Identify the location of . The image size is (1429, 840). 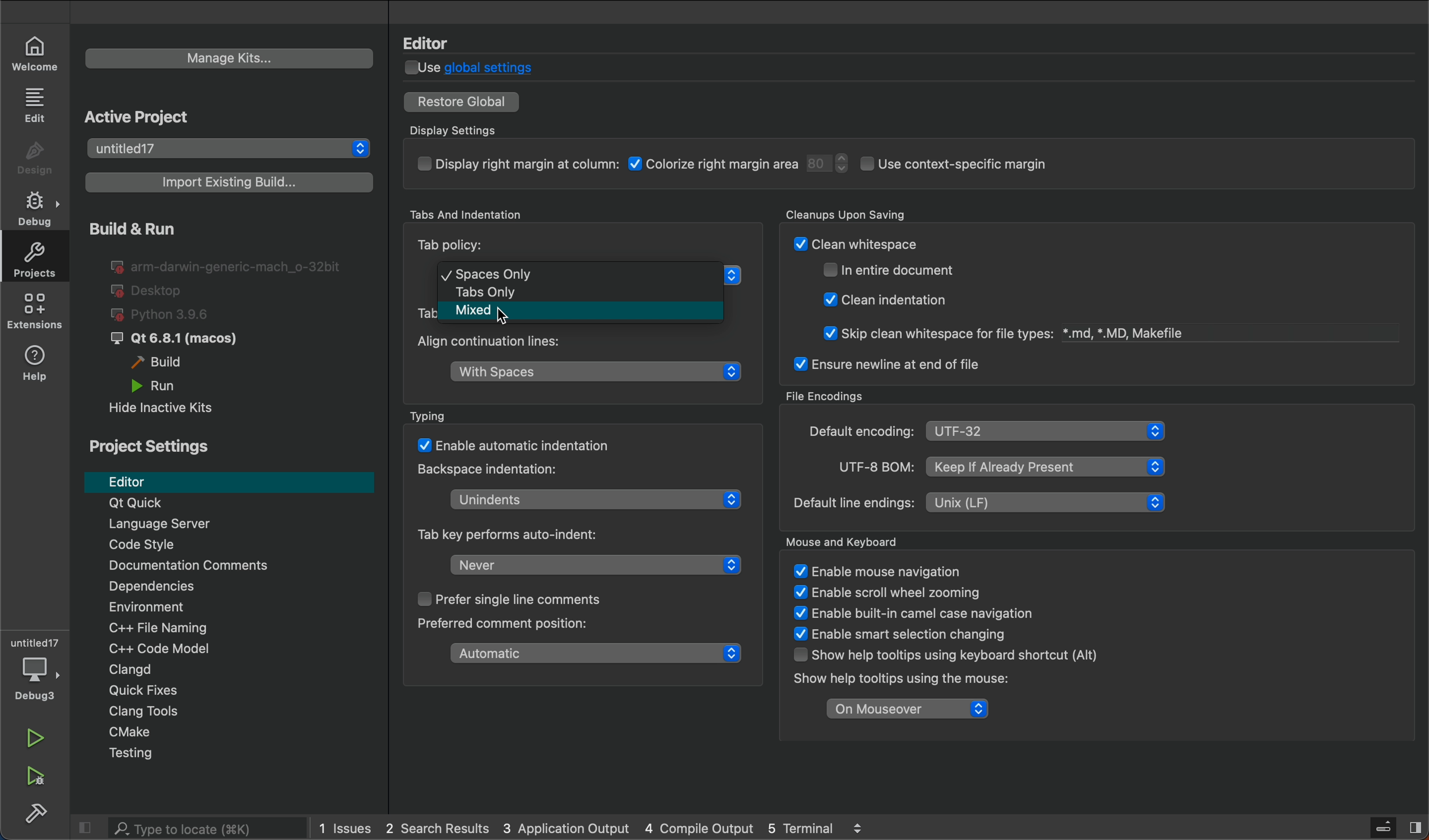
(531, 447).